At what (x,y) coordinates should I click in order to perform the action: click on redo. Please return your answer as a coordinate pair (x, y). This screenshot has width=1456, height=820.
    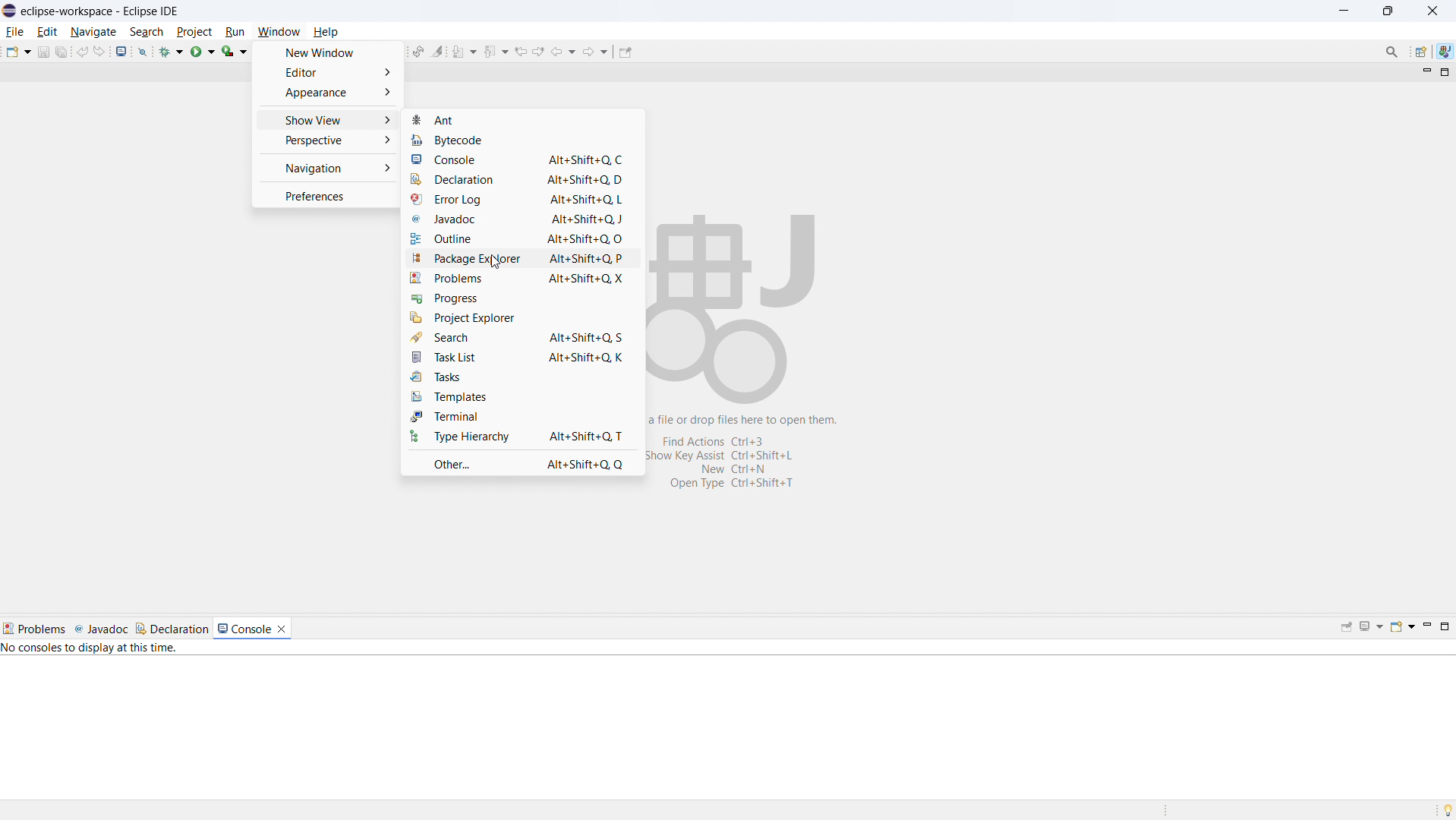
    Looking at the image, I should click on (99, 51).